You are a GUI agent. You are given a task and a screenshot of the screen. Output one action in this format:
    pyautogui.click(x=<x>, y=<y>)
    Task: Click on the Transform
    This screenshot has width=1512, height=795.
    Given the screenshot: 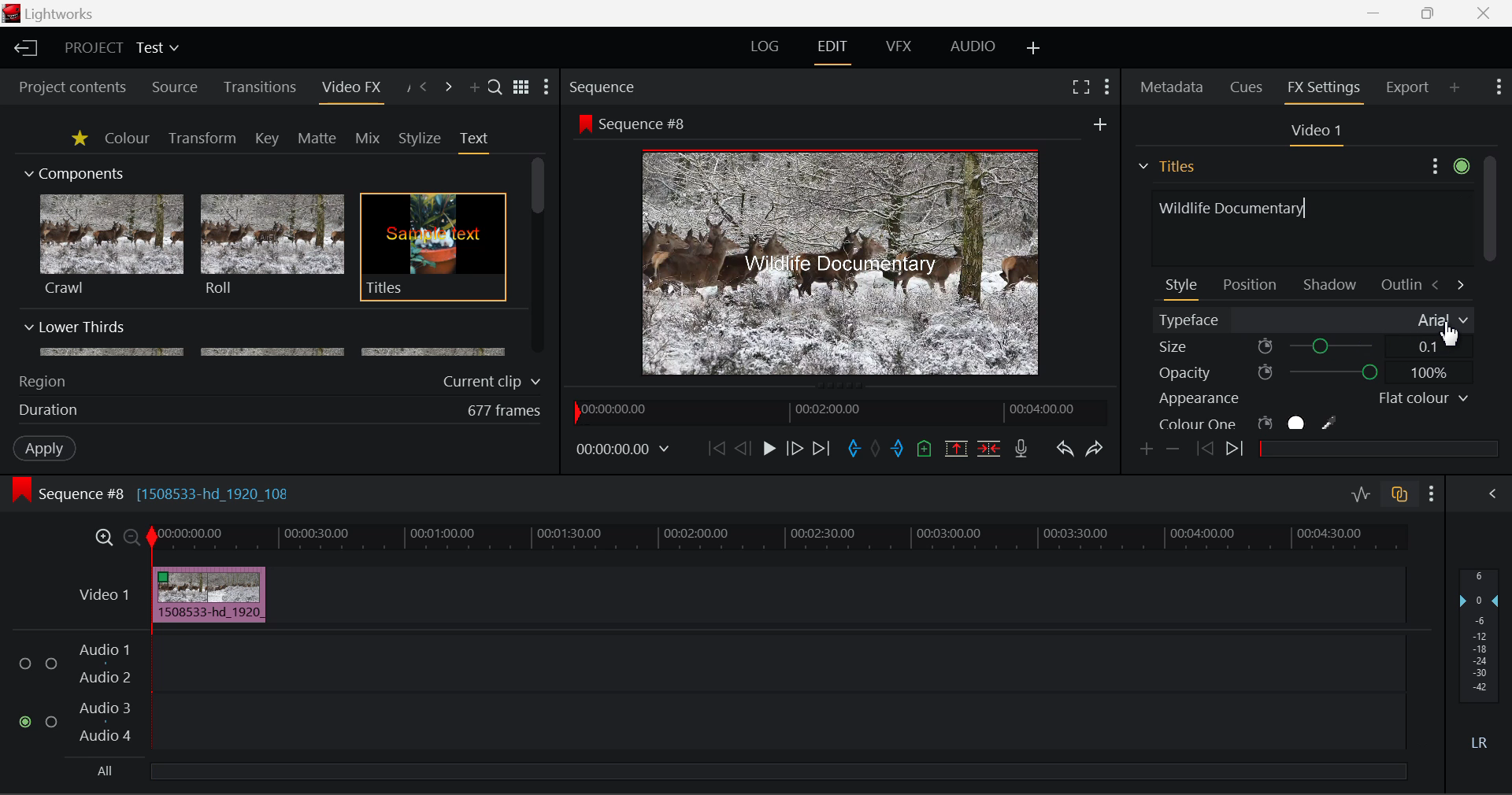 What is the action you would take?
    pyautogui.click(x=204, y=139)
    